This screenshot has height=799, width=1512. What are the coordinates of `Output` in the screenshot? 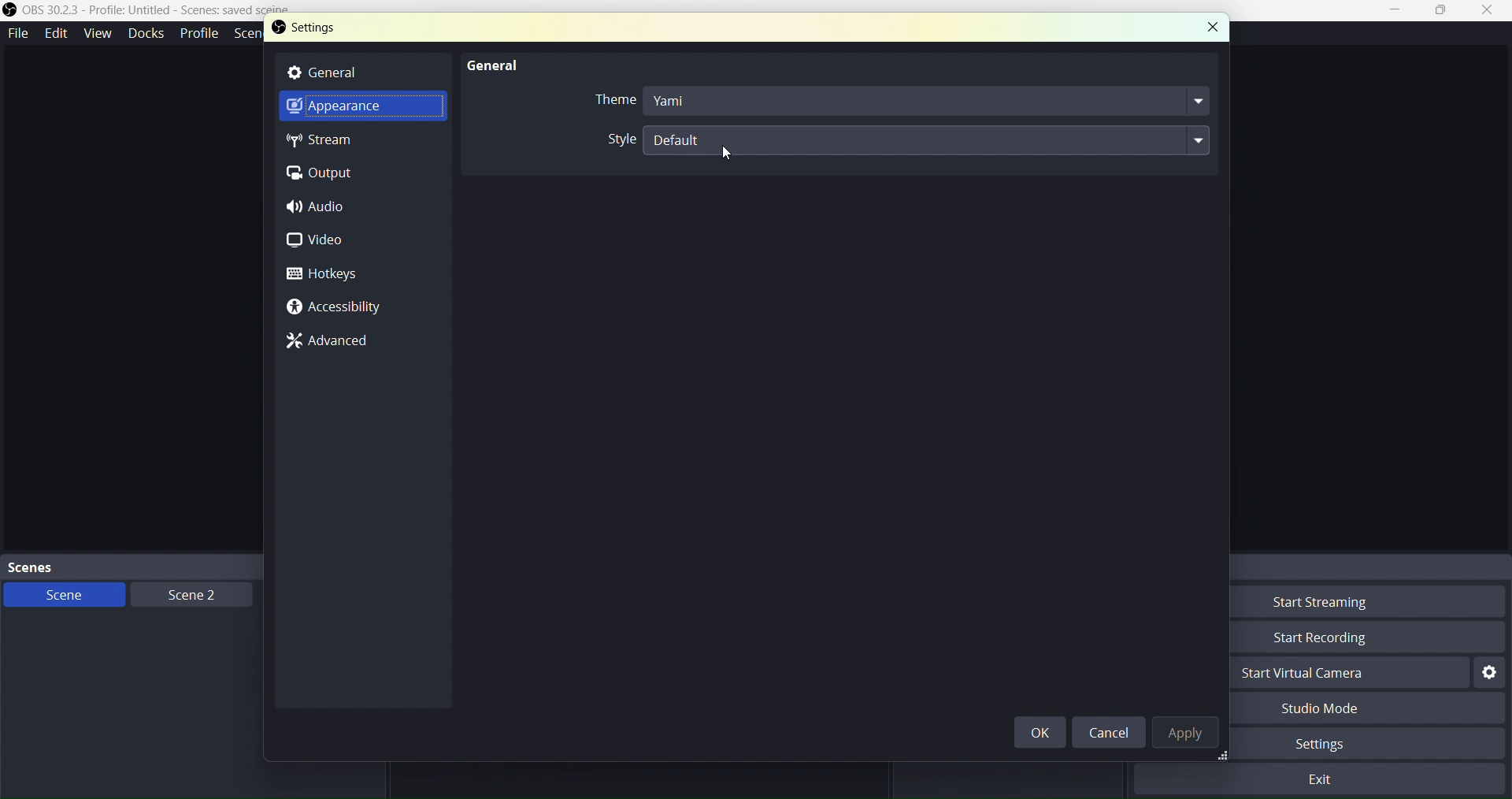 It's located at (328, 173).